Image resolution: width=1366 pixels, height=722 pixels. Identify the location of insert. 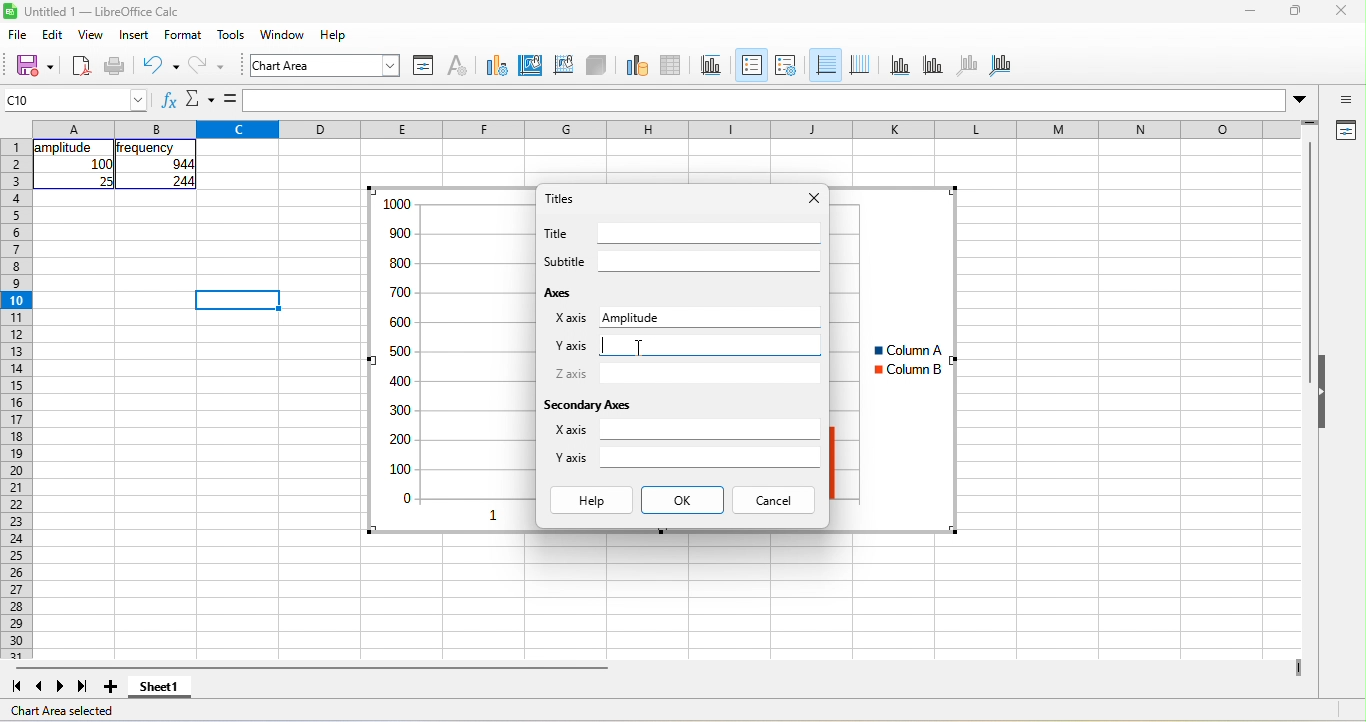
(134, 34).